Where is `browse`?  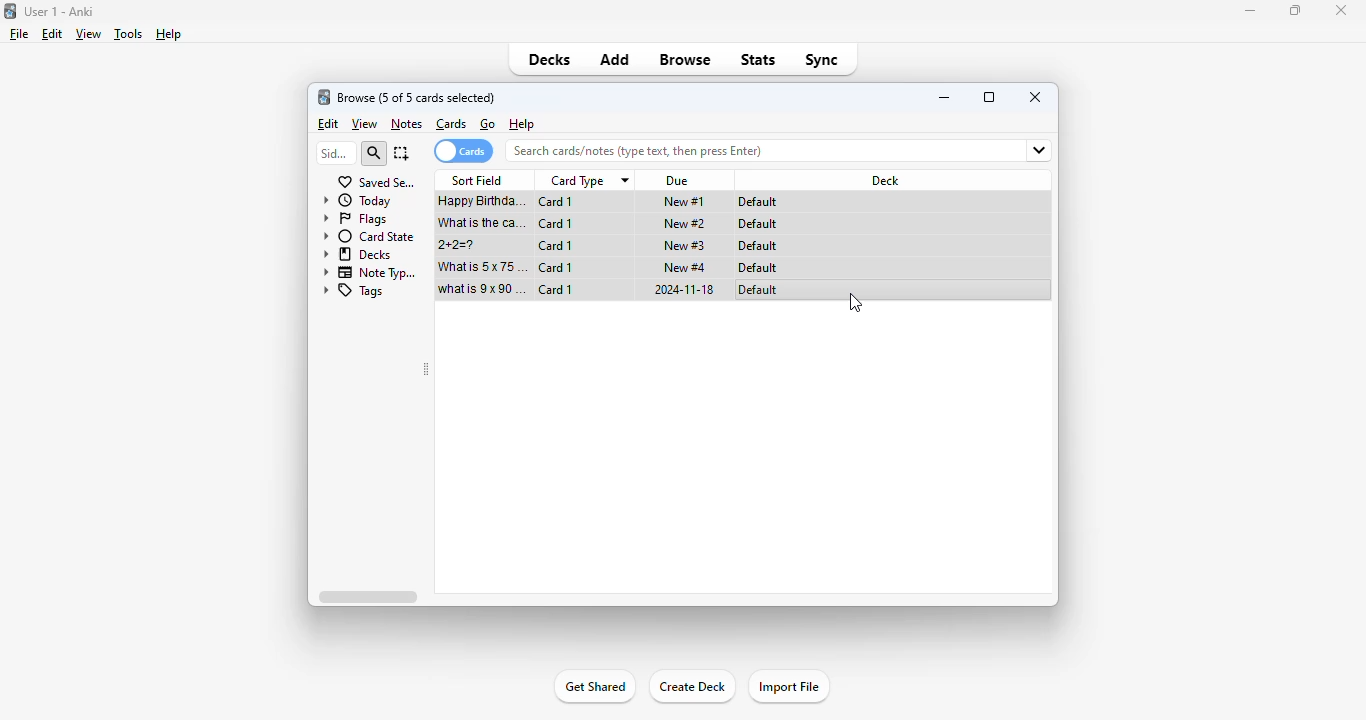 browse is located at coordinates (685, 59).